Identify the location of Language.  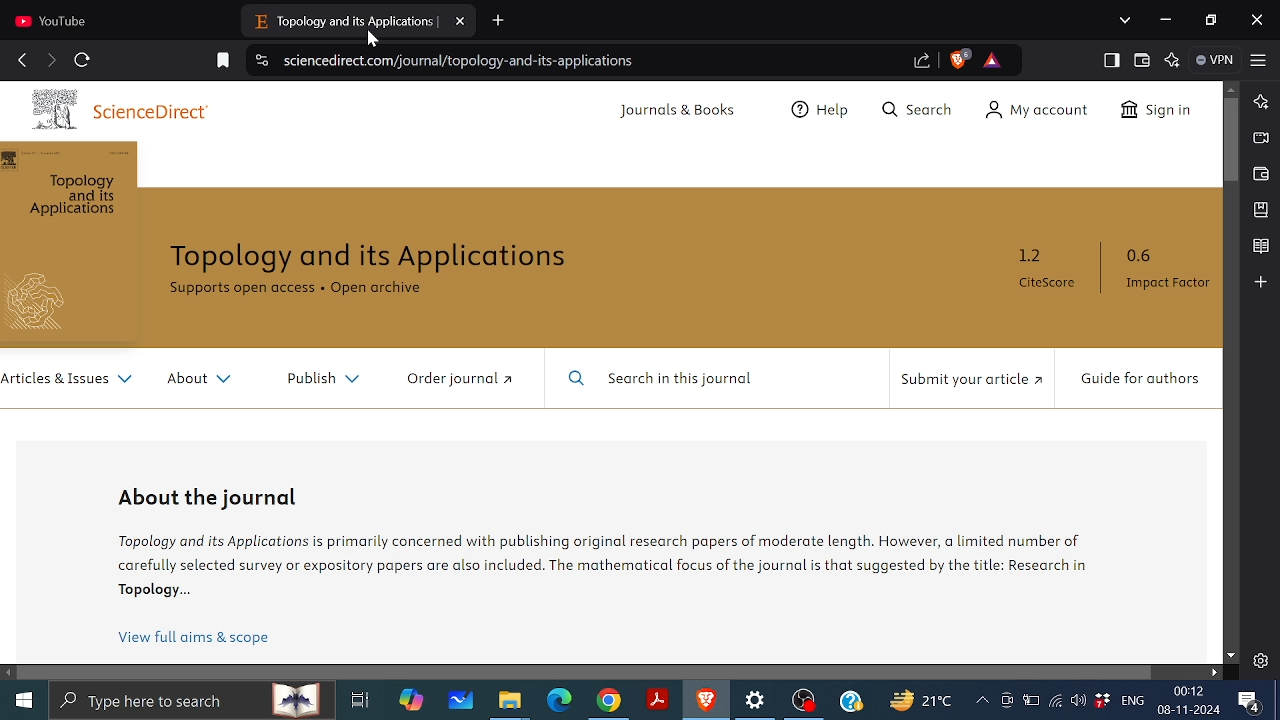
(1133, 699).